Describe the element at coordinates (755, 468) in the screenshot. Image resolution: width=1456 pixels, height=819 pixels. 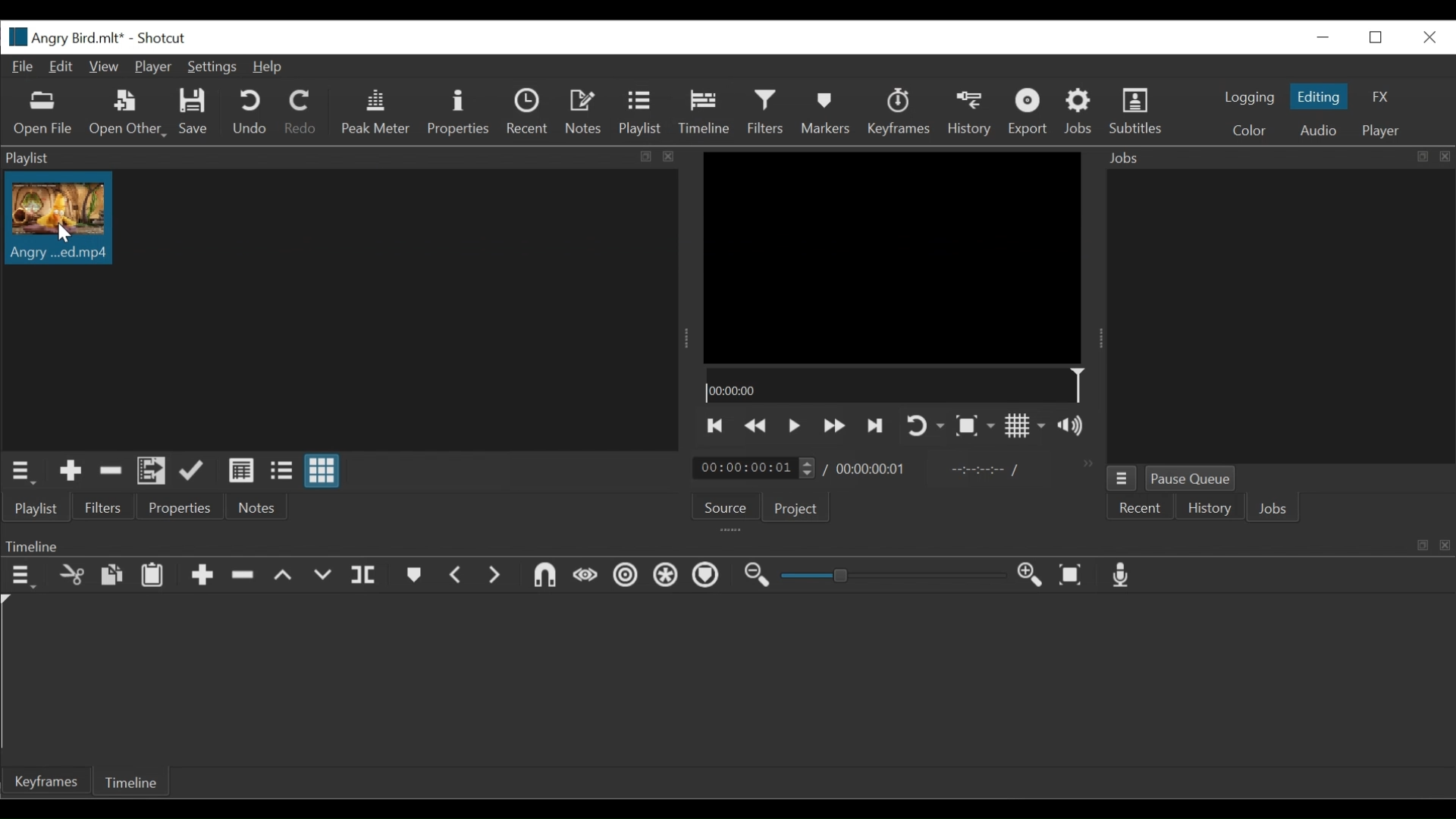
I see `Current duration` at that location.